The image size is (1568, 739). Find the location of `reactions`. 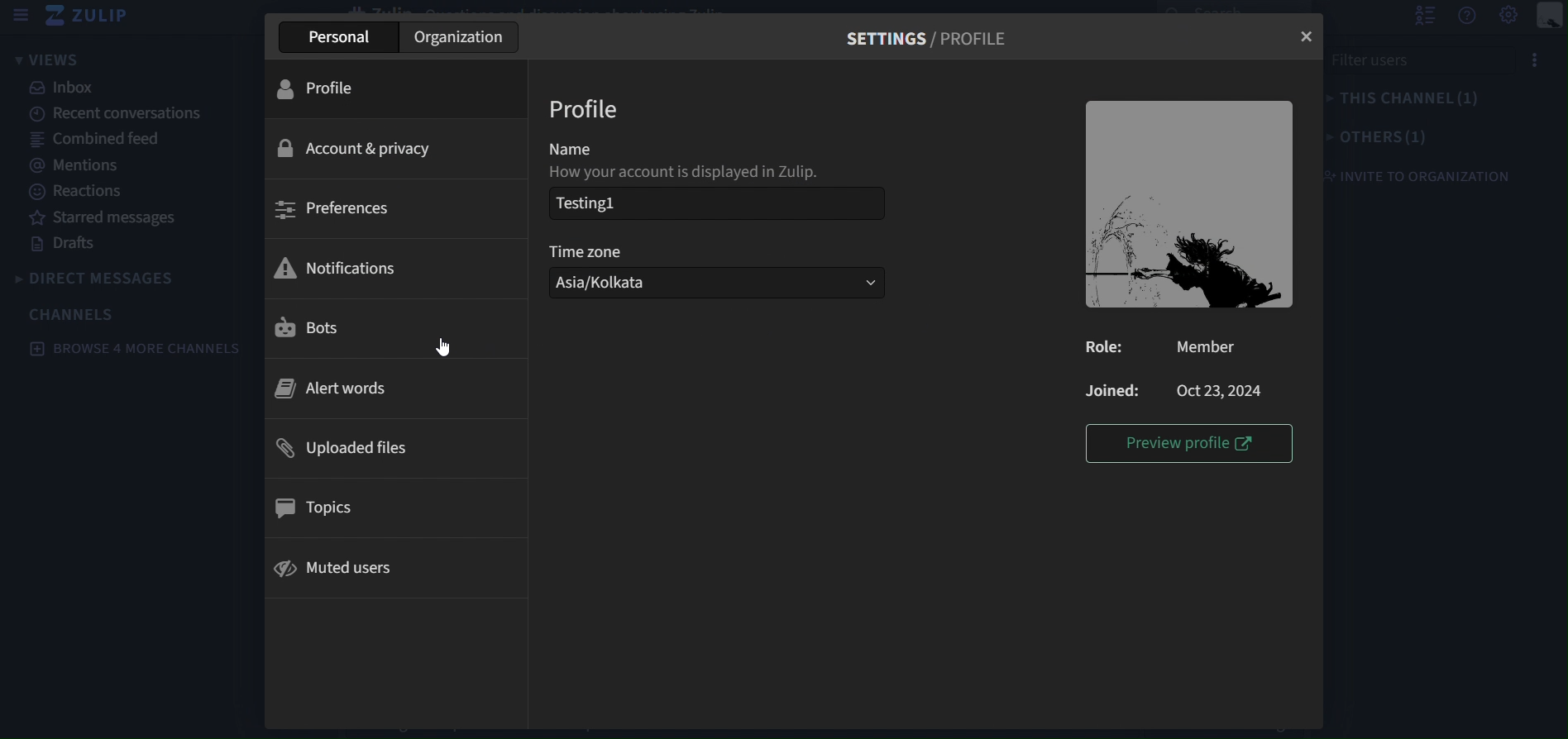

reactions is located at coordinates (123, 192).